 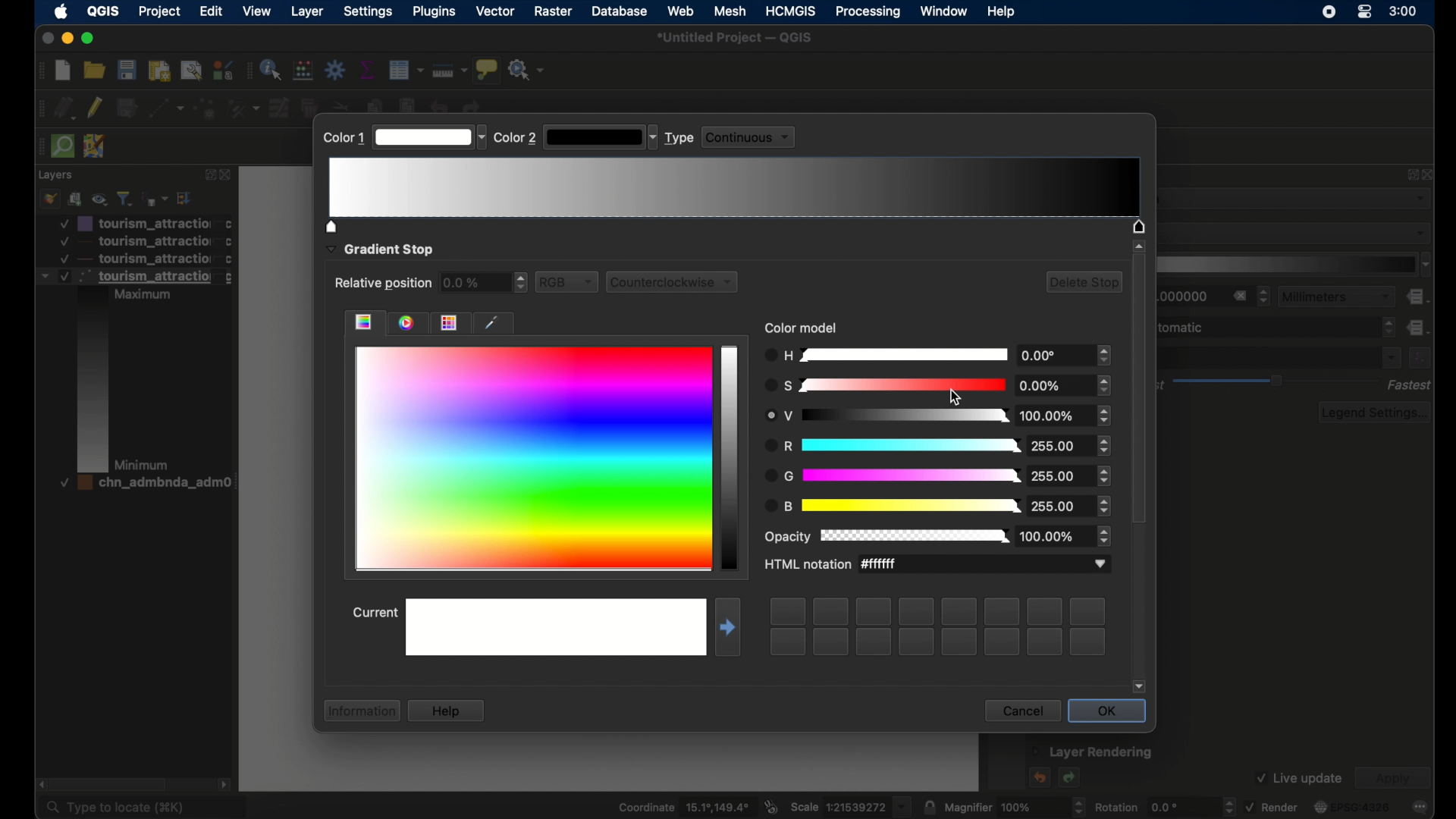 What do you see at coordinates (227, 177) in the screenshot?
I see `close` at bounding box center [227, 177].